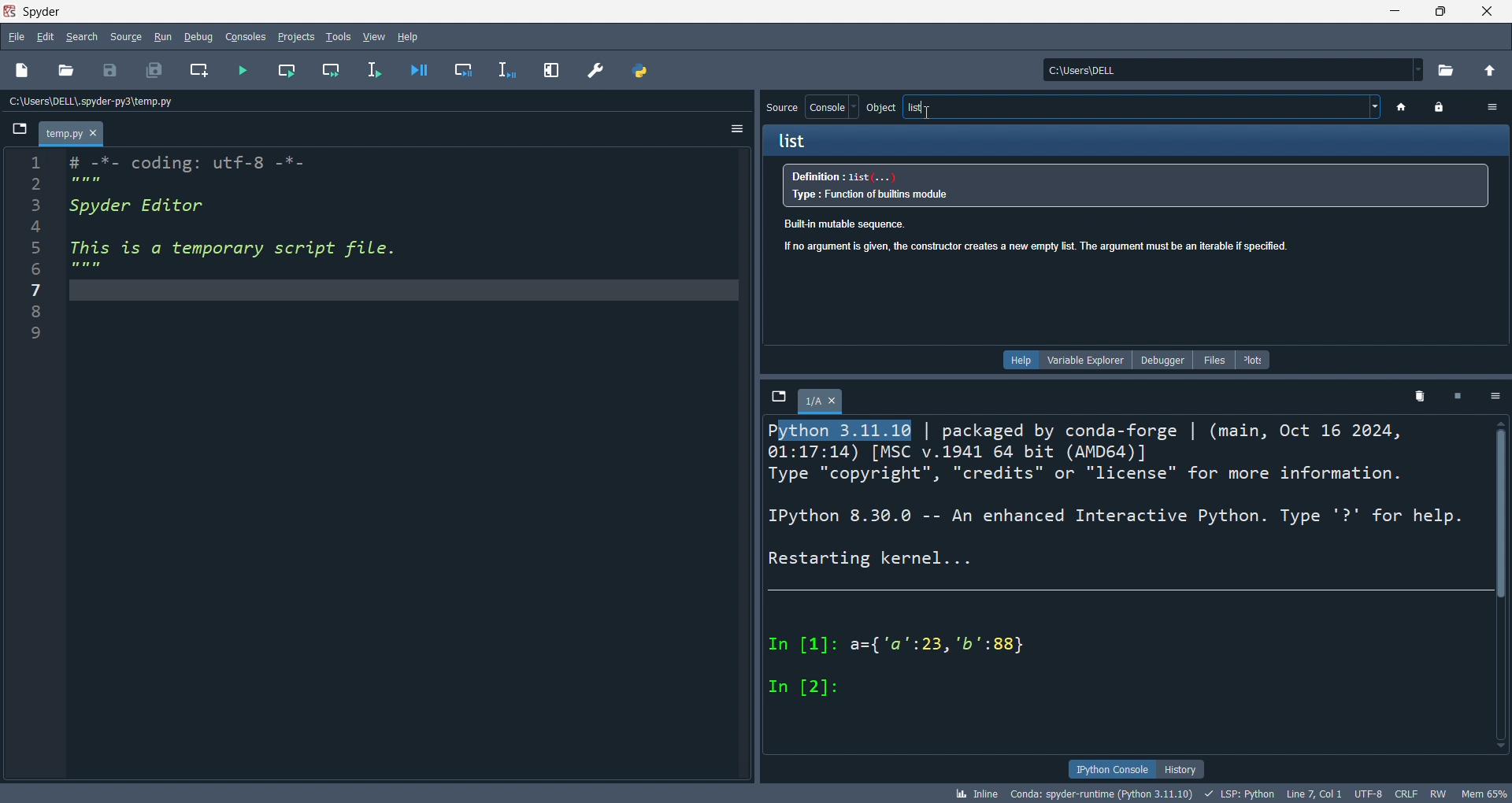 The width and height of the screenshot is (1512, 803). I want to click on CRLF, so click(1406, 793).